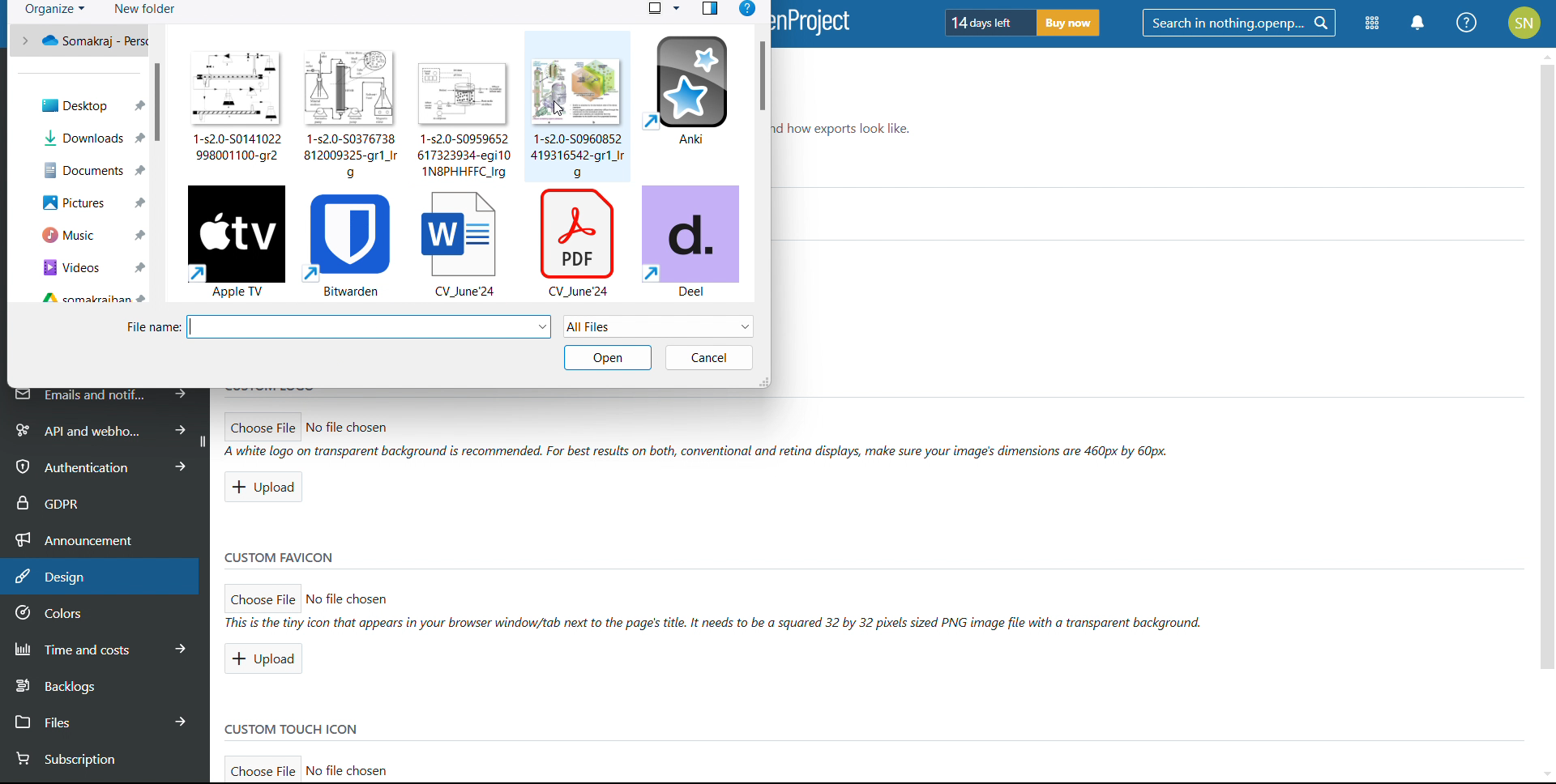  Describe the element at coordinates (721, 624) in the screenshot. I see `ll This is the tiny icon that appears tn your browser winaow/tab next to the pages title. It neeas to be a squared 32 by 32 pixels sized PNG image file with a transparent background.` at that location.